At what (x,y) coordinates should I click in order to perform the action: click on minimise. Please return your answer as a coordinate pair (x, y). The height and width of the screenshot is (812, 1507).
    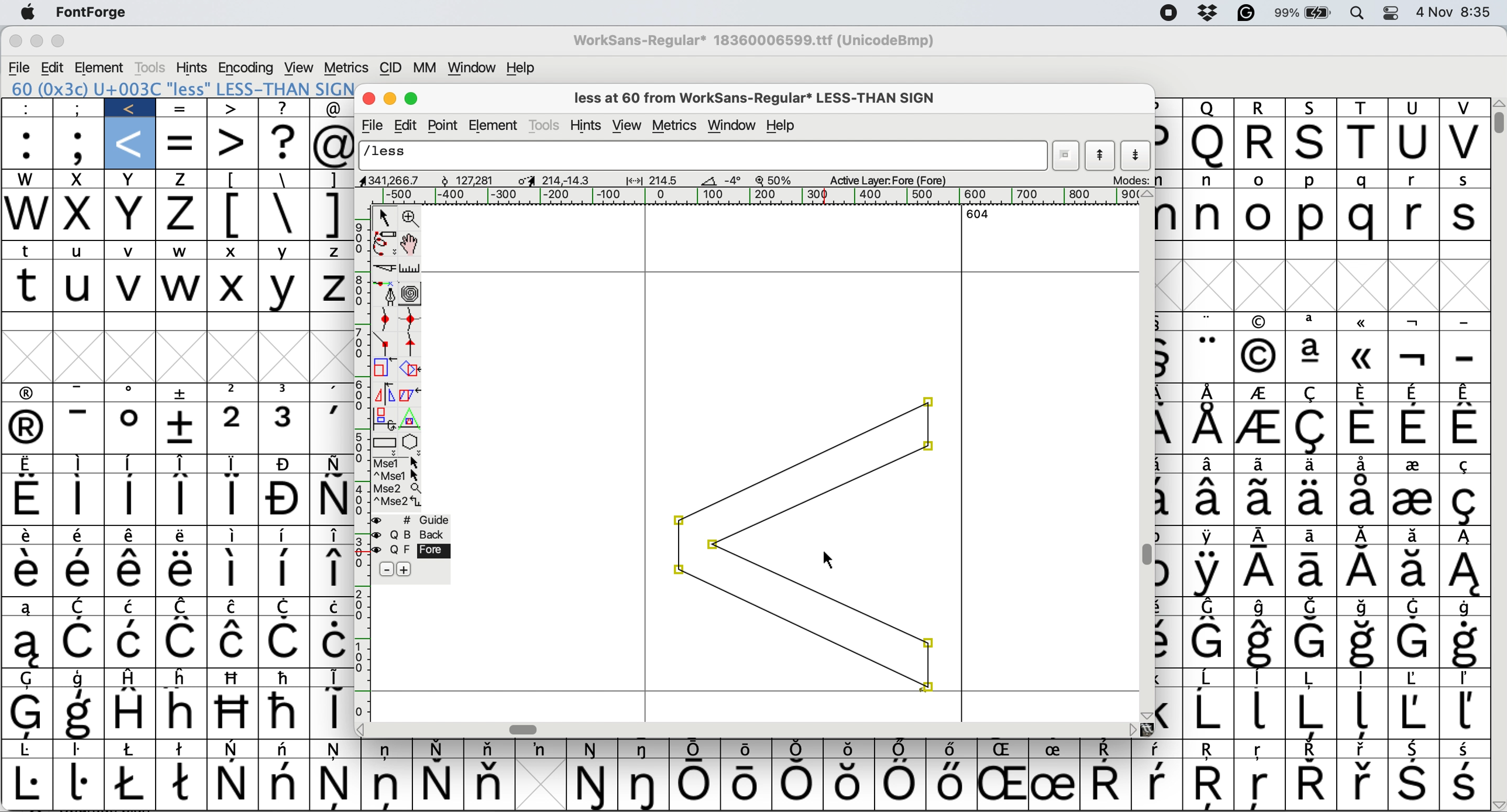
    Looking at the image, I should click on (391, 101).